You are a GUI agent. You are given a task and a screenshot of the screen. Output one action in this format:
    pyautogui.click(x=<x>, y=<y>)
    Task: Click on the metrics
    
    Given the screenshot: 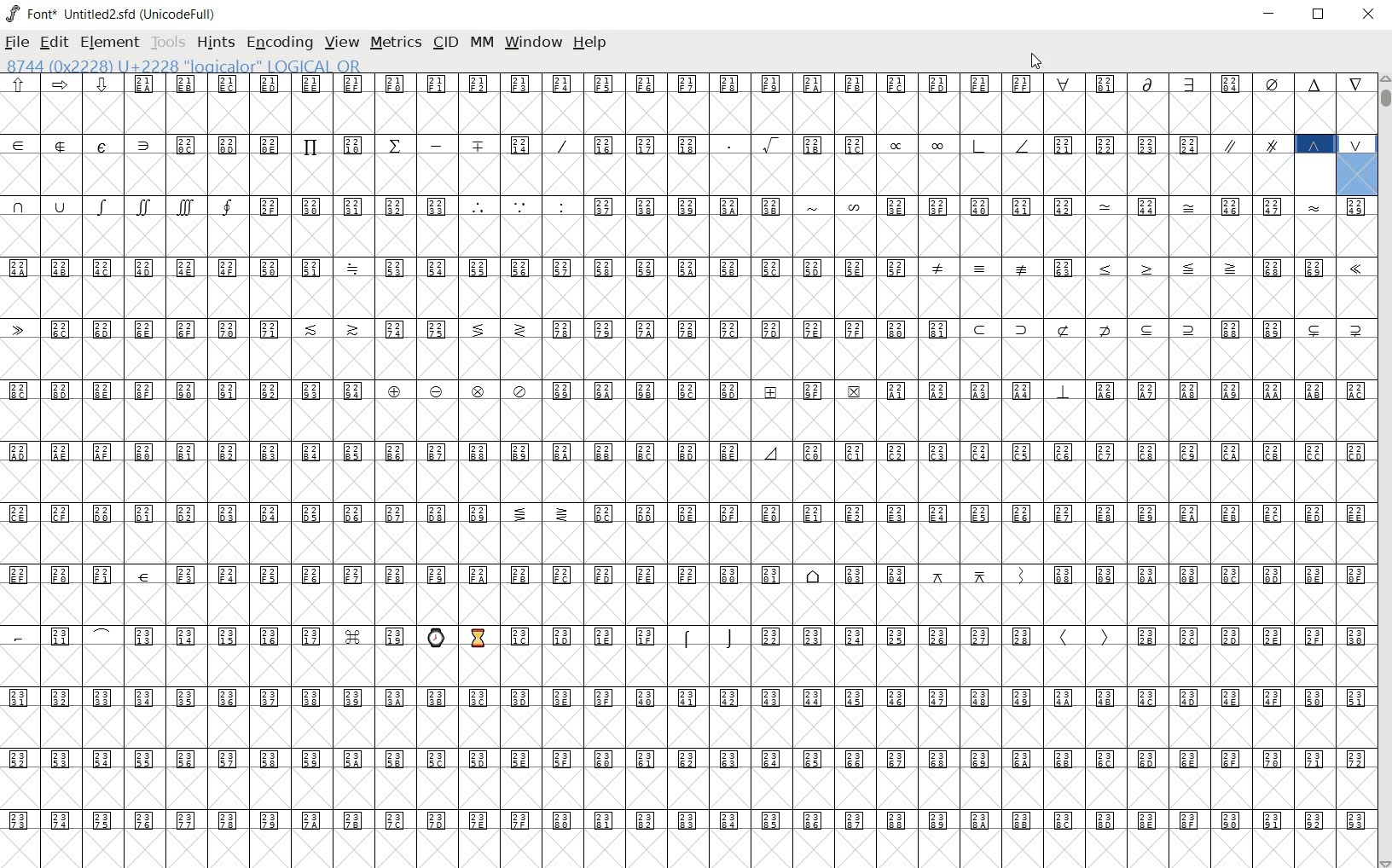 What is the action you would take?
    pyautogui.click(x=395, y=43)
    